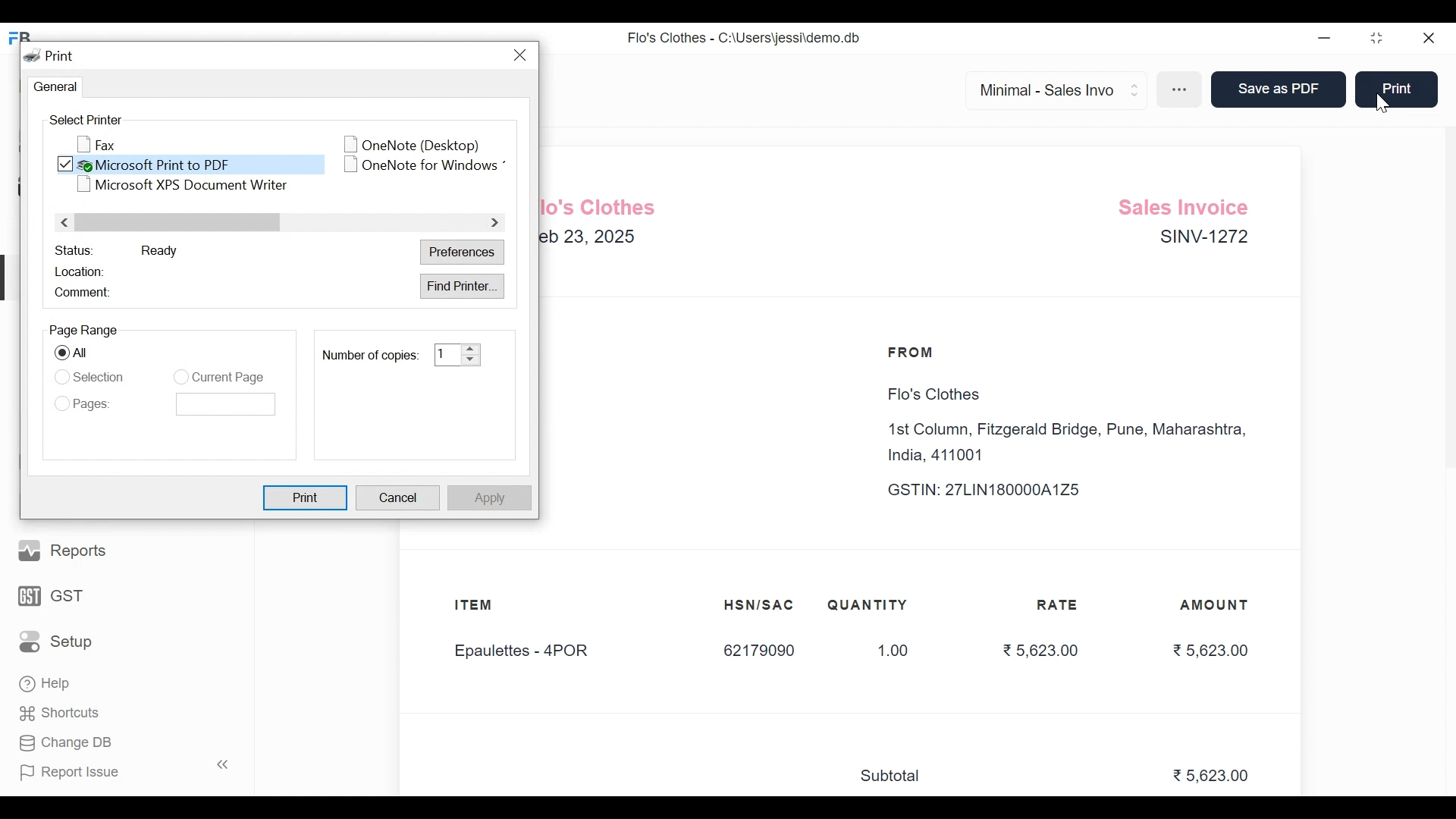 The width and height of the screenshot is (1456, 819). I want to click on Location, so click(83, 270).